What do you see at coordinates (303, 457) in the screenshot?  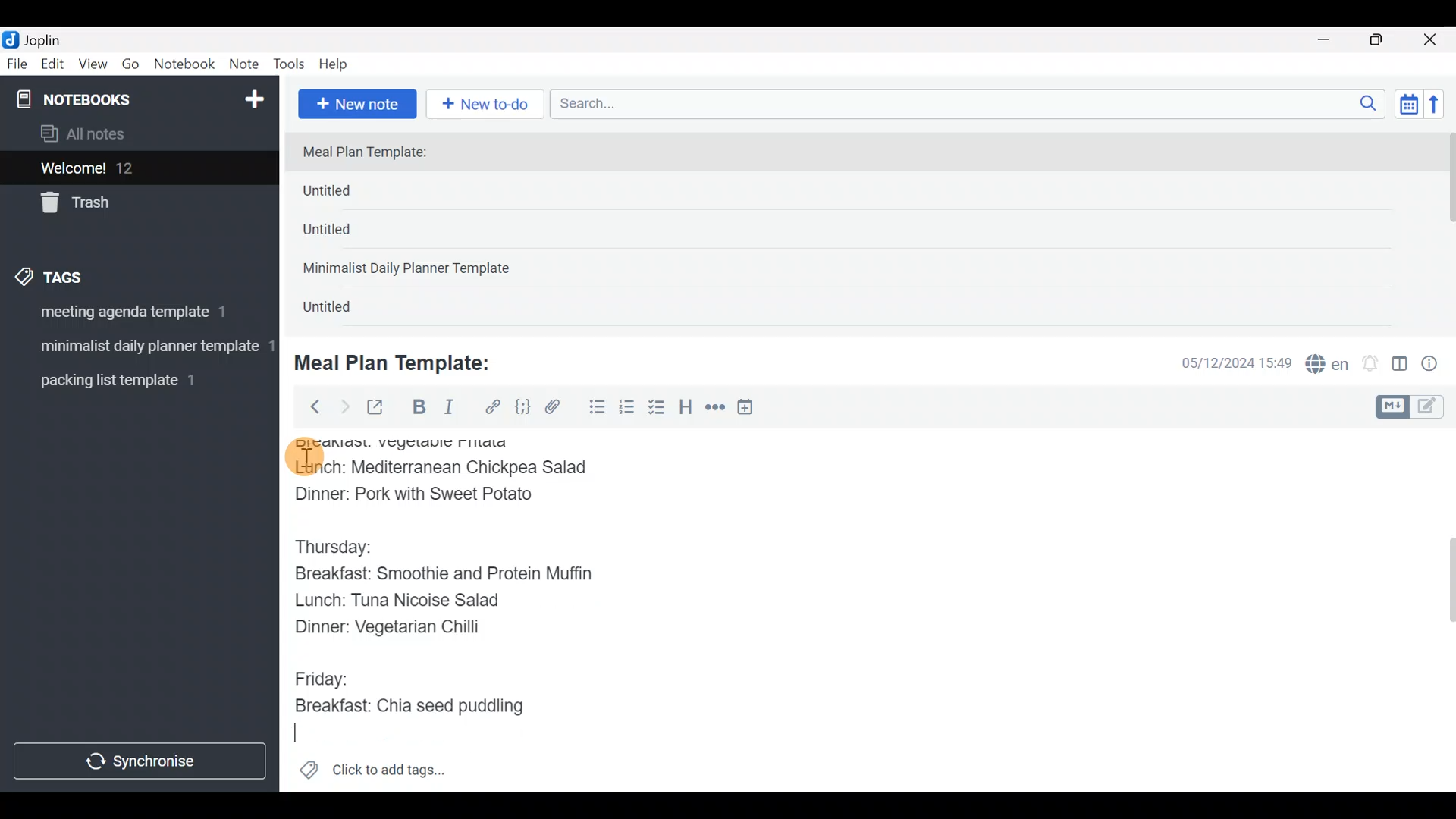 I see `cursor` at bounding box center [303, 457].